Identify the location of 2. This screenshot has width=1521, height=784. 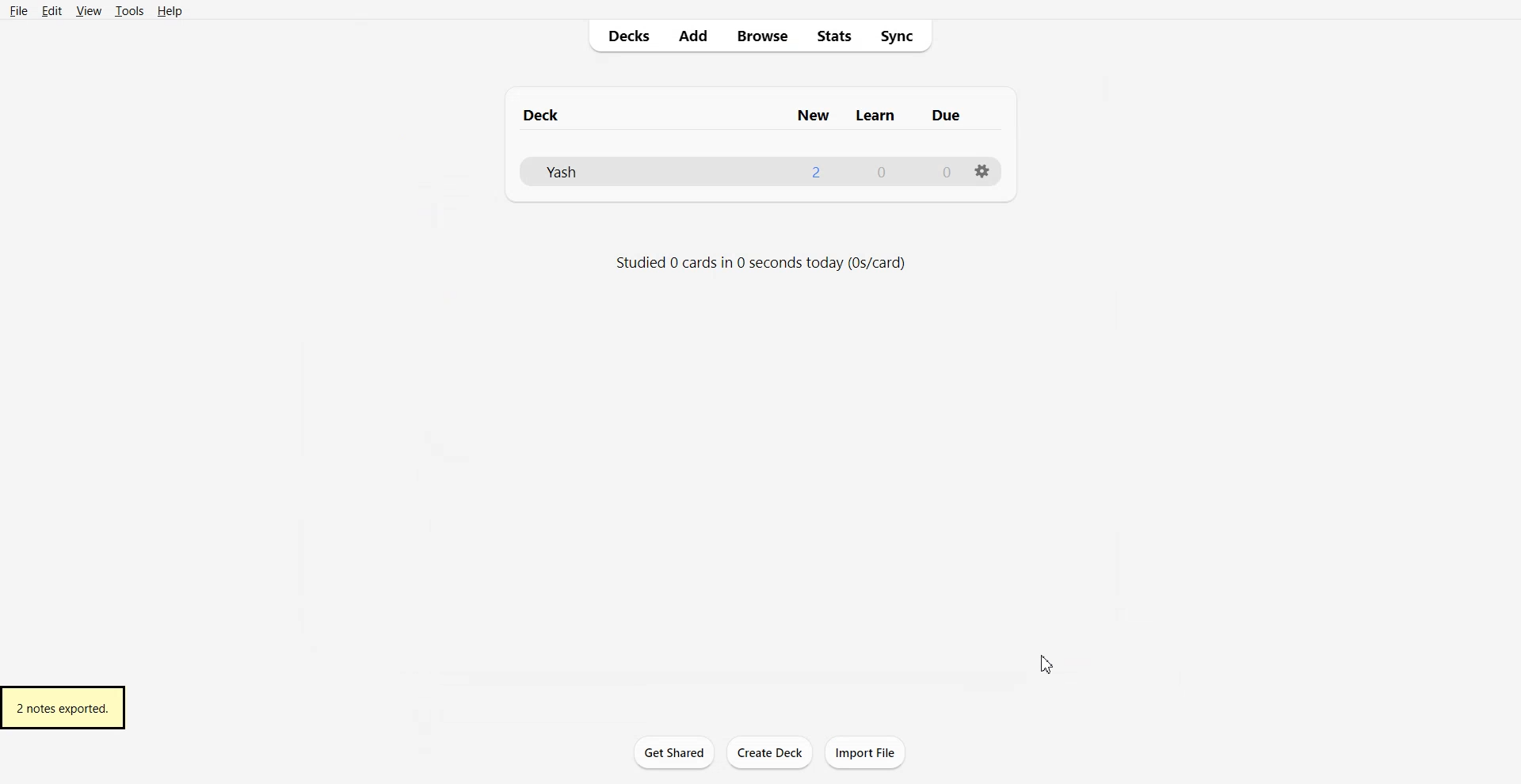
(815, 169).